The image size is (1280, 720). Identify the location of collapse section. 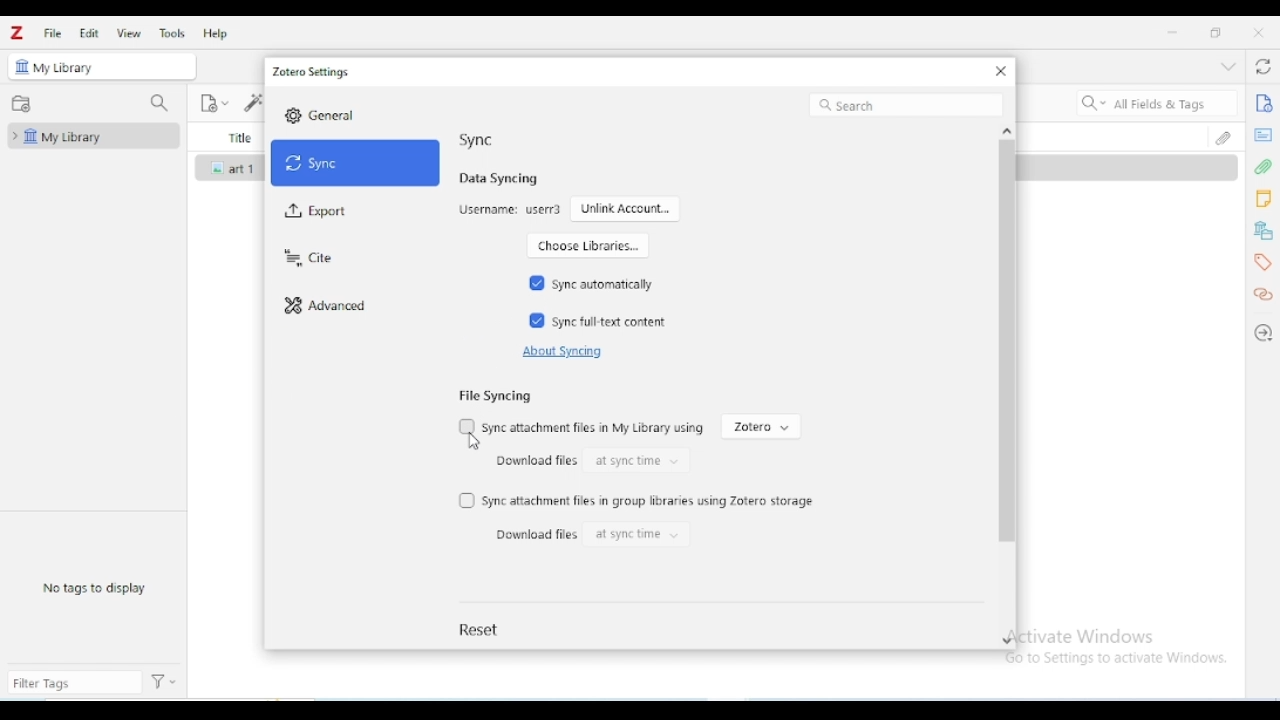
(1228, 66).